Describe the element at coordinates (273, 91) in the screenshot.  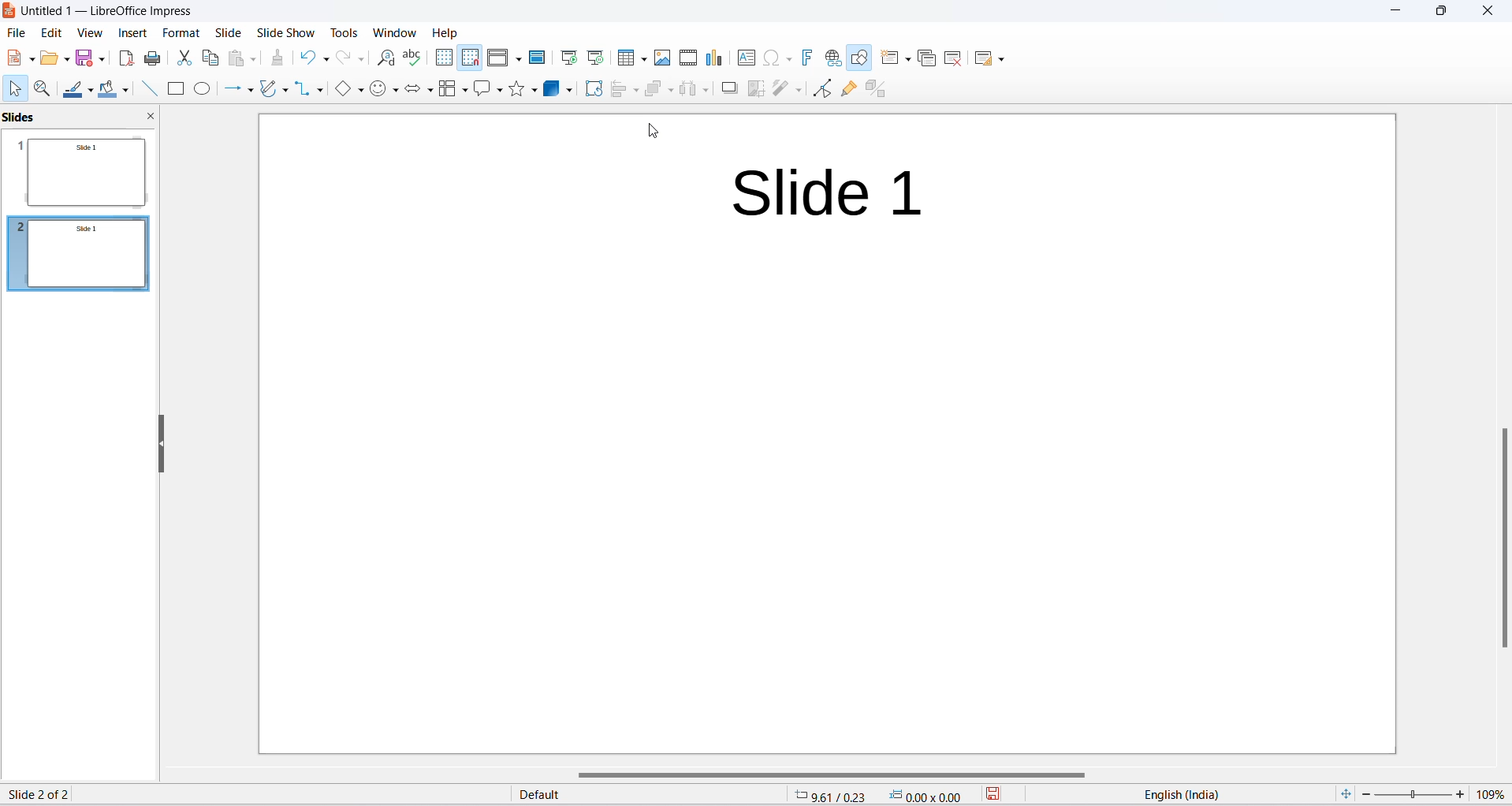
I see `Curve and polygons` at that location.